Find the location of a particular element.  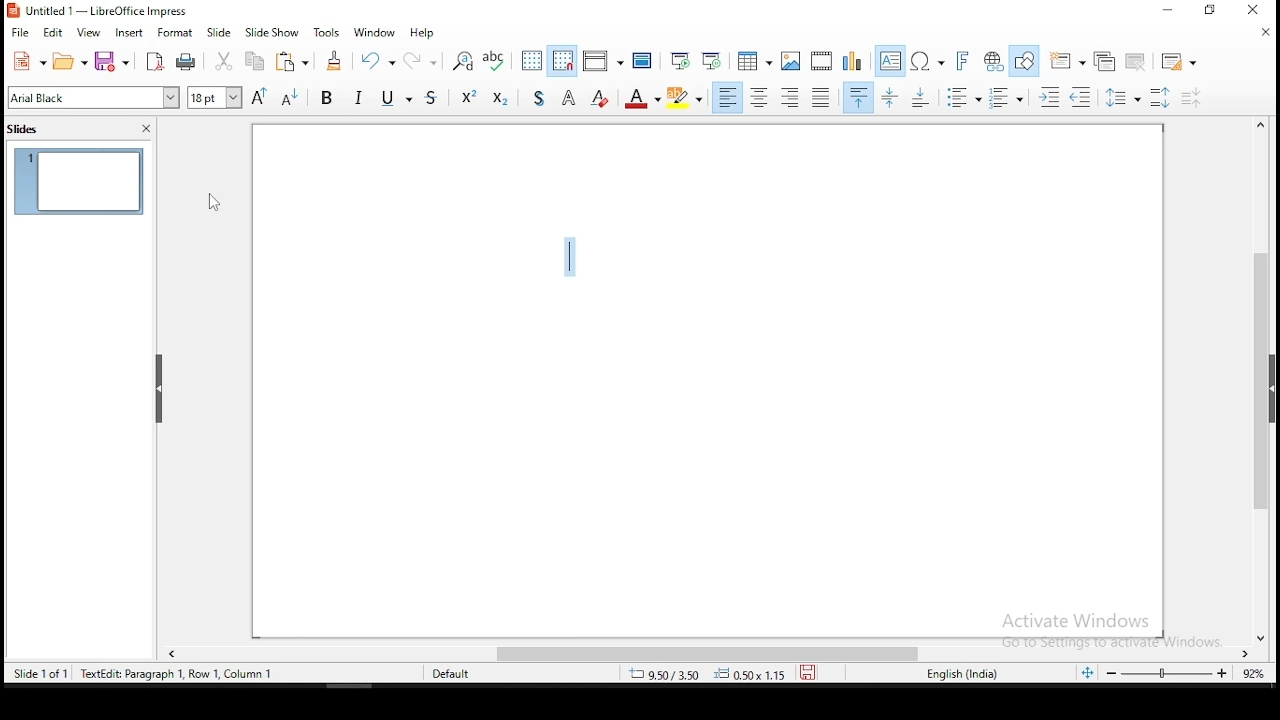

scroll bar is located at coordinates (1263, 380).